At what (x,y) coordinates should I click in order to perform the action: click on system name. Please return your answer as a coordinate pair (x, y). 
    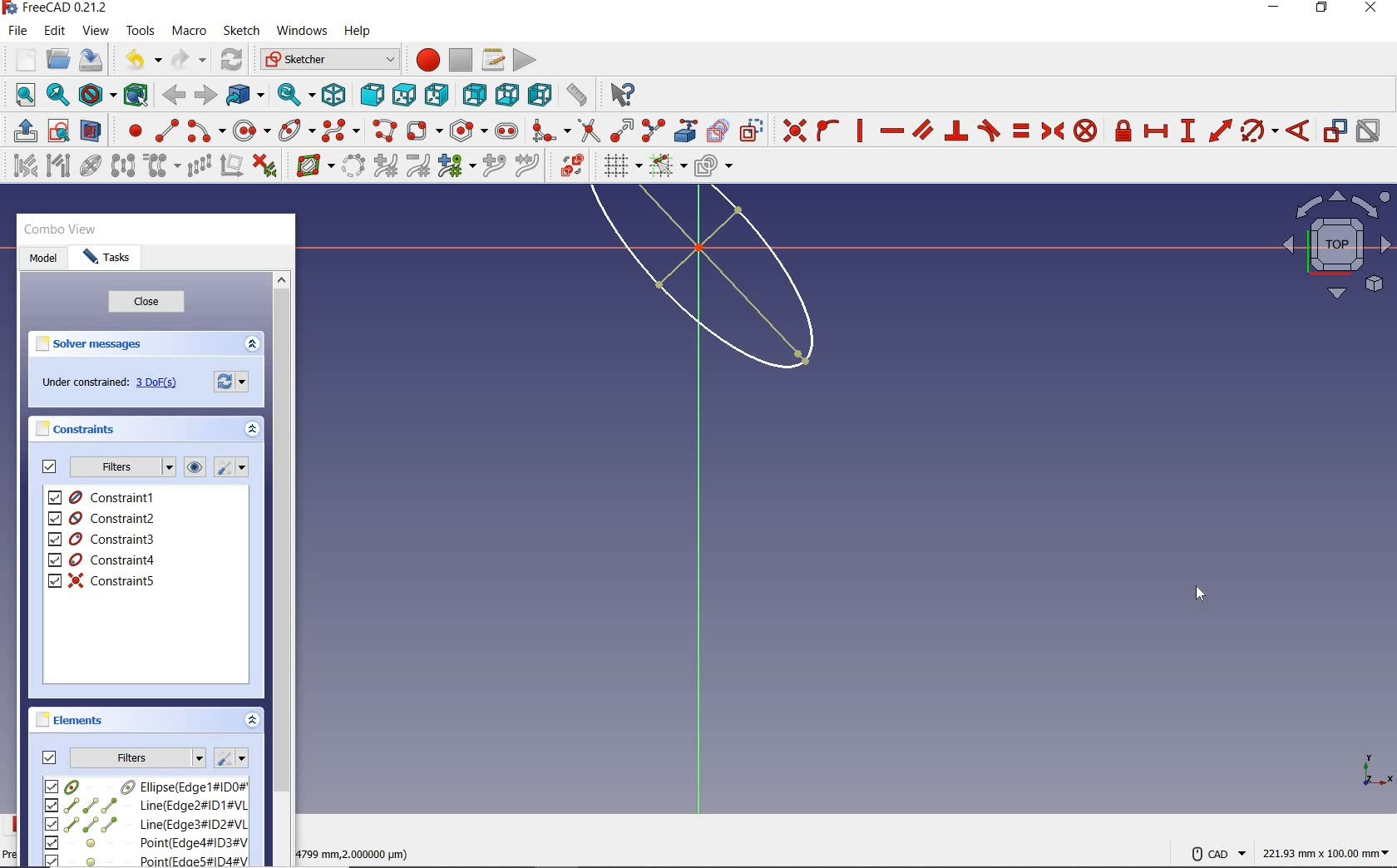
    Looking at the image, I should click on (56, 8).